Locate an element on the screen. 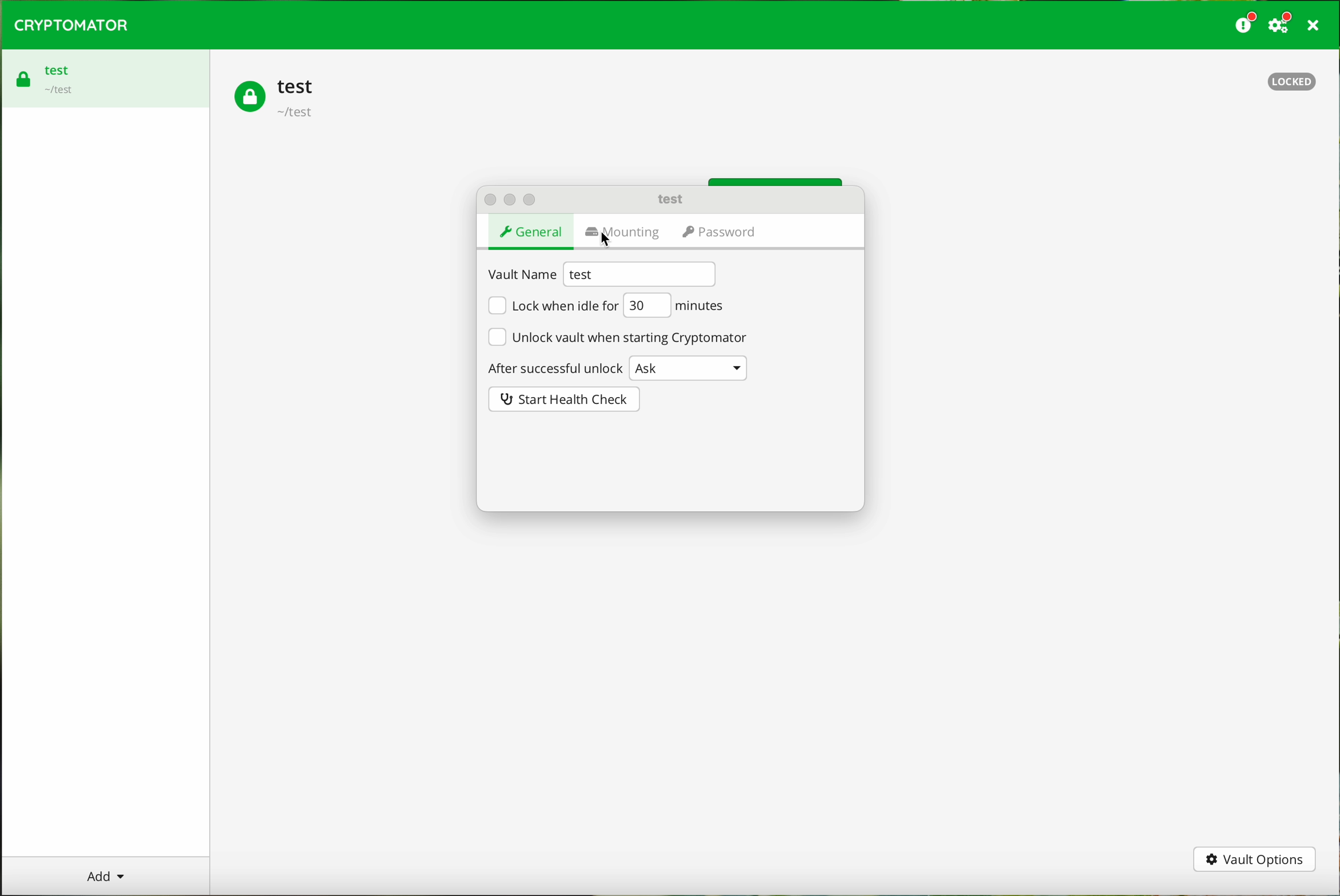  add button is located at coordinates (105, 875).